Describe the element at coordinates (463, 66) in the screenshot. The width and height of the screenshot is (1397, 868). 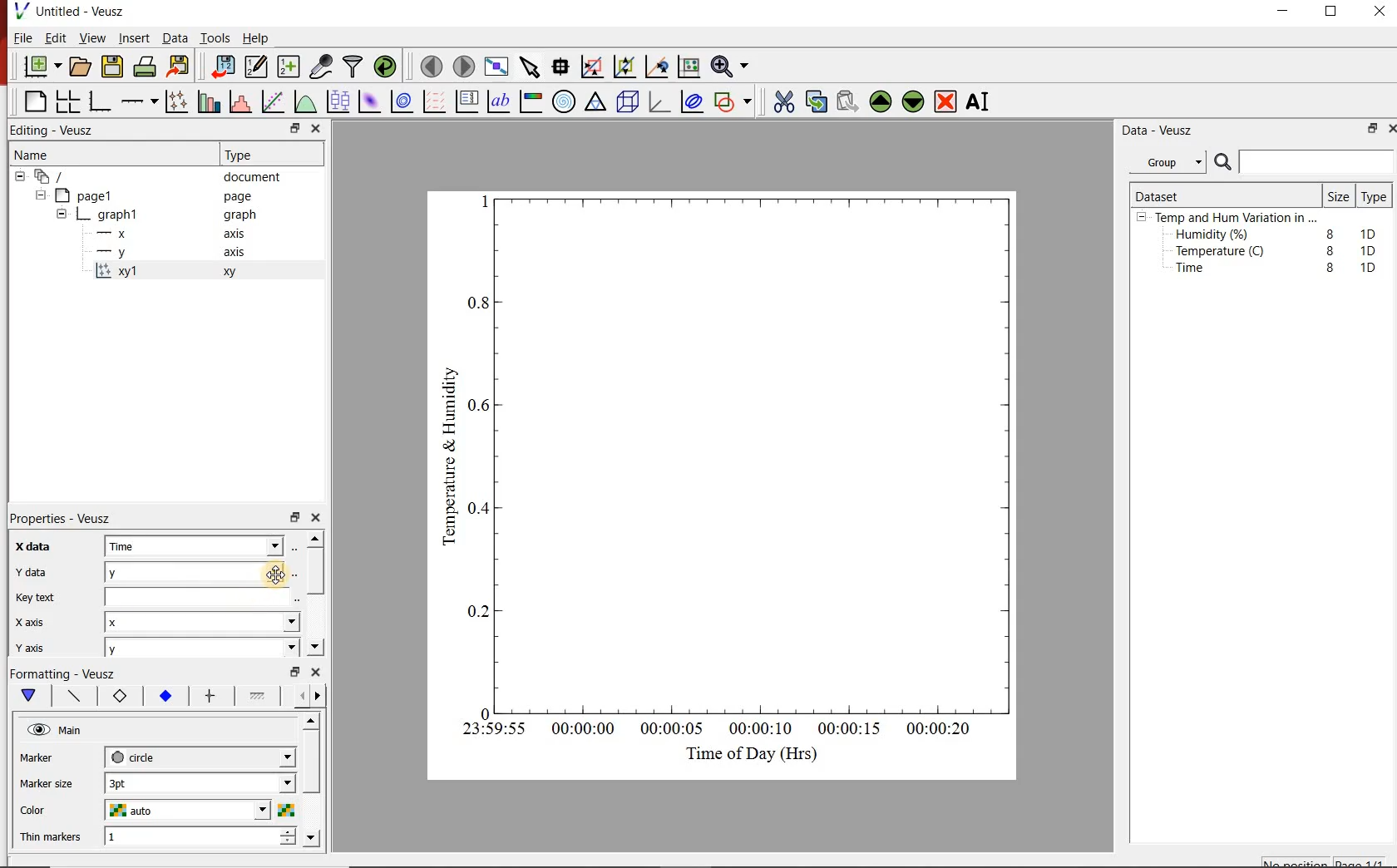
I see `move to the next page` at that location.